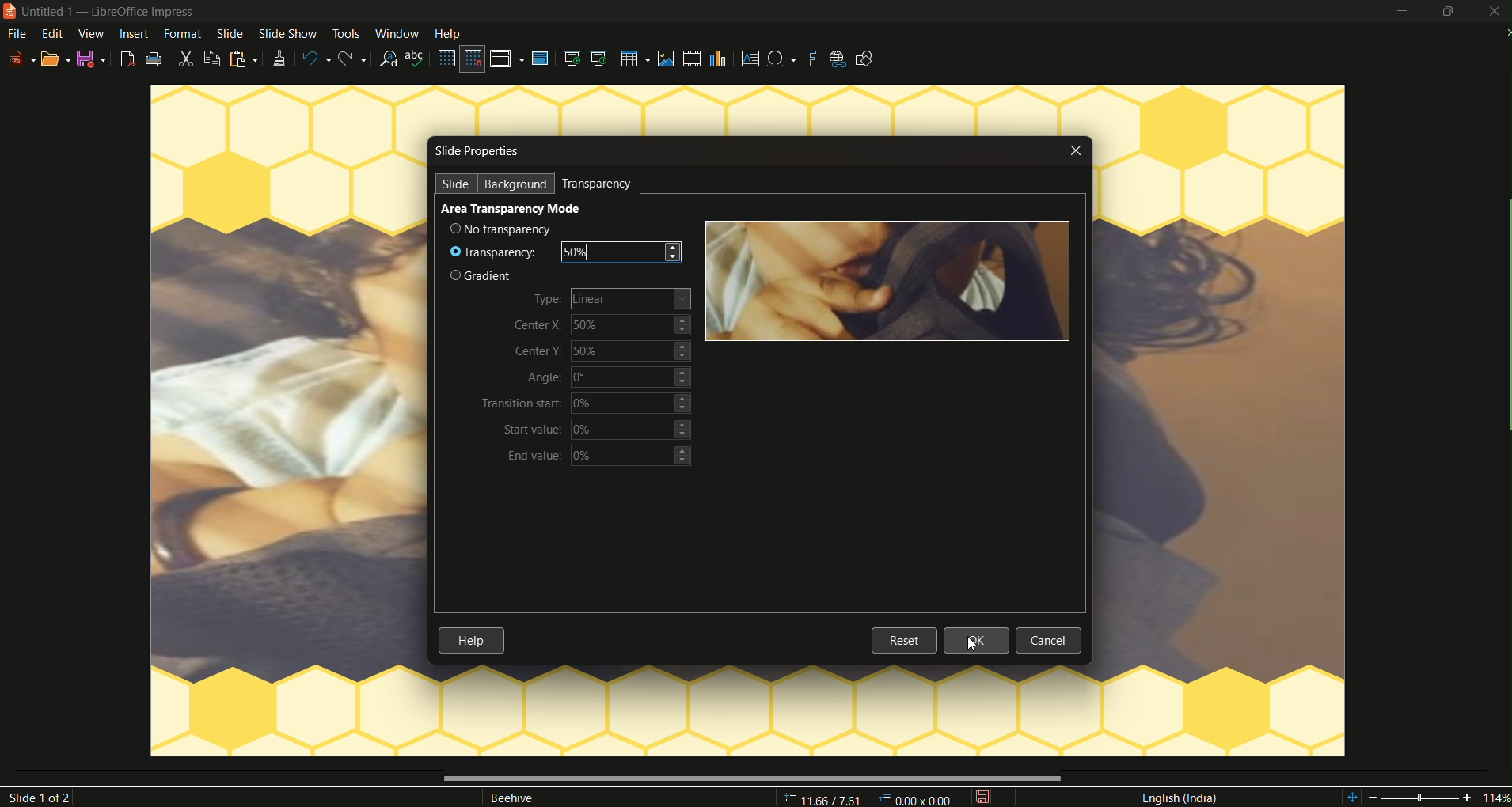  What do you see at coordinates (1050, 640) in the screenshot?
I see `cancel` at bounding box center [1050, 640].